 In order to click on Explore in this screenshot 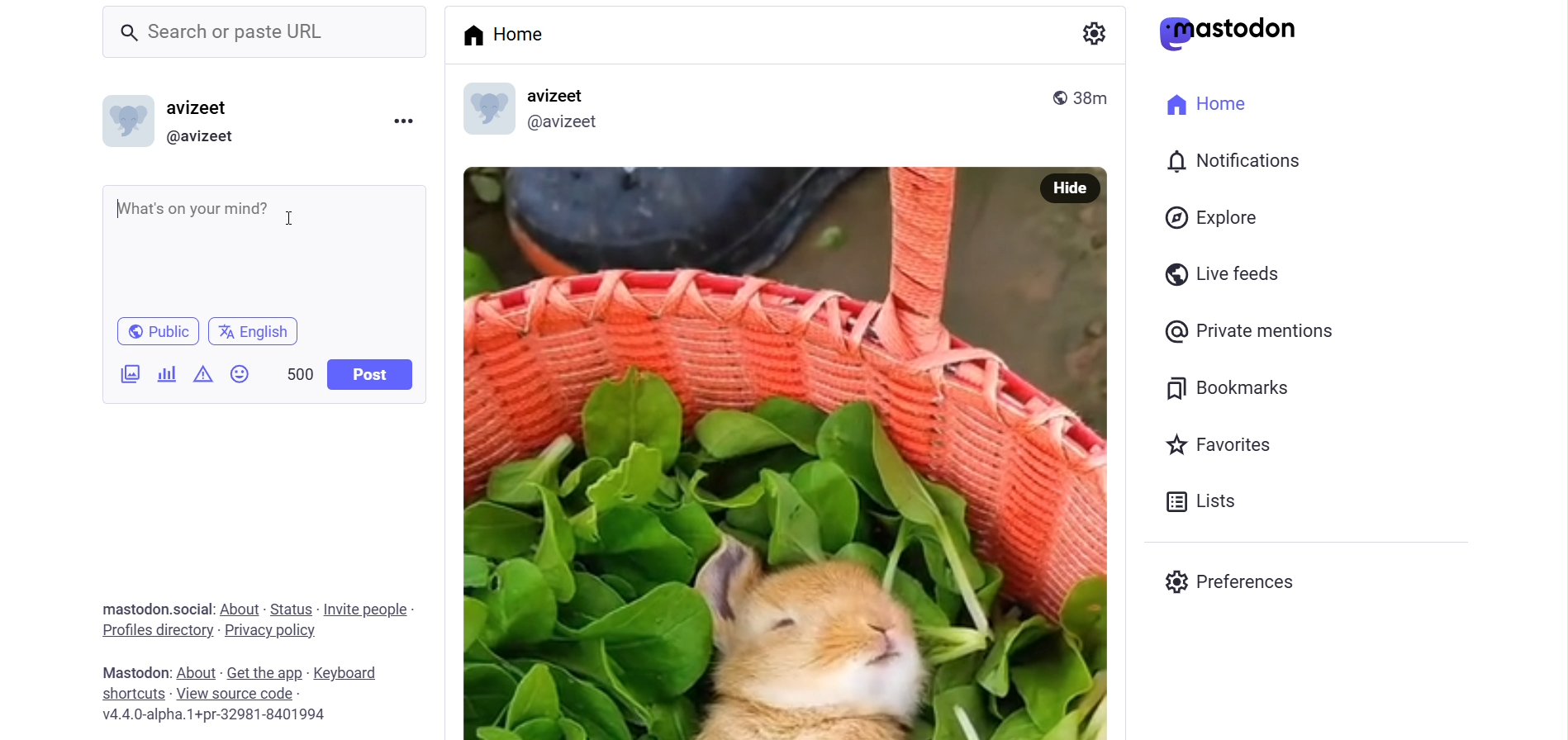, I will do `click(1215, 219)`.